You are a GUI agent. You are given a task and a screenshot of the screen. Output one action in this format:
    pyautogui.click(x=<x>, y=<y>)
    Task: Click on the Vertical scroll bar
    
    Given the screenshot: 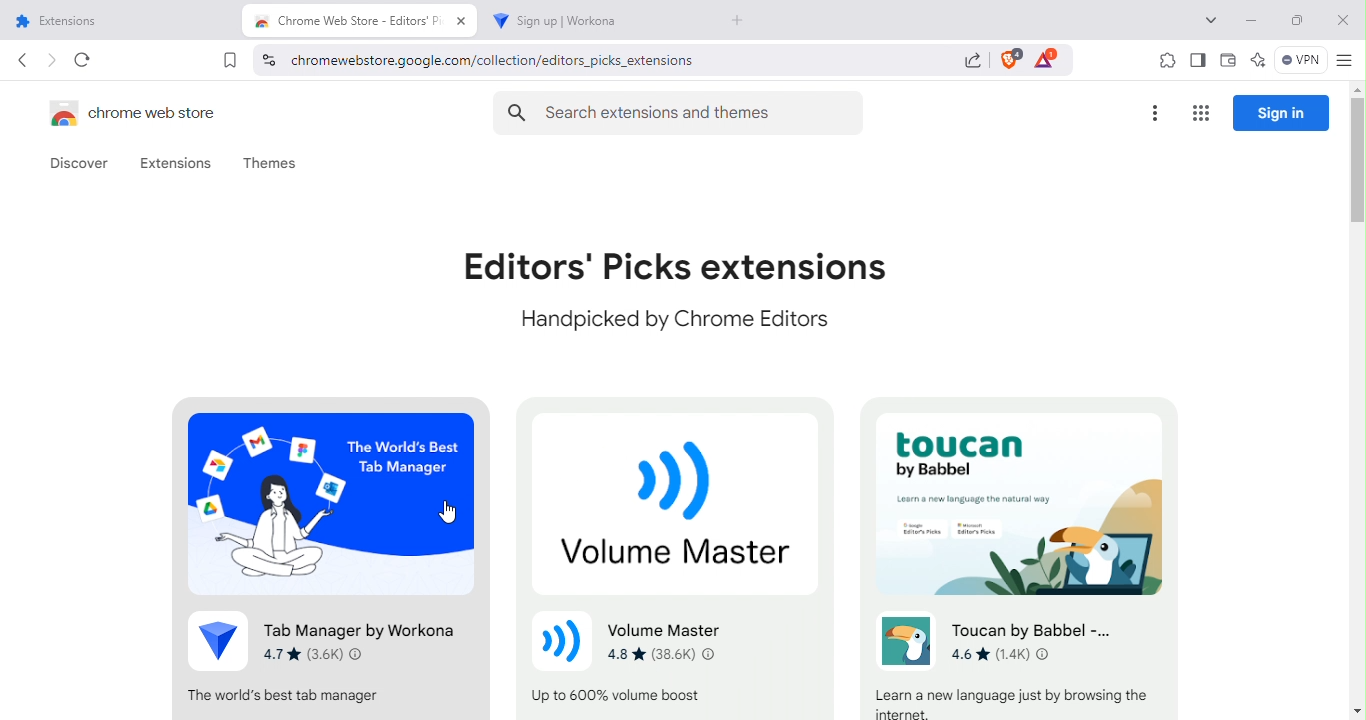 What is the action you would take?
    pyautogui.click(x=1357, y=403)
    